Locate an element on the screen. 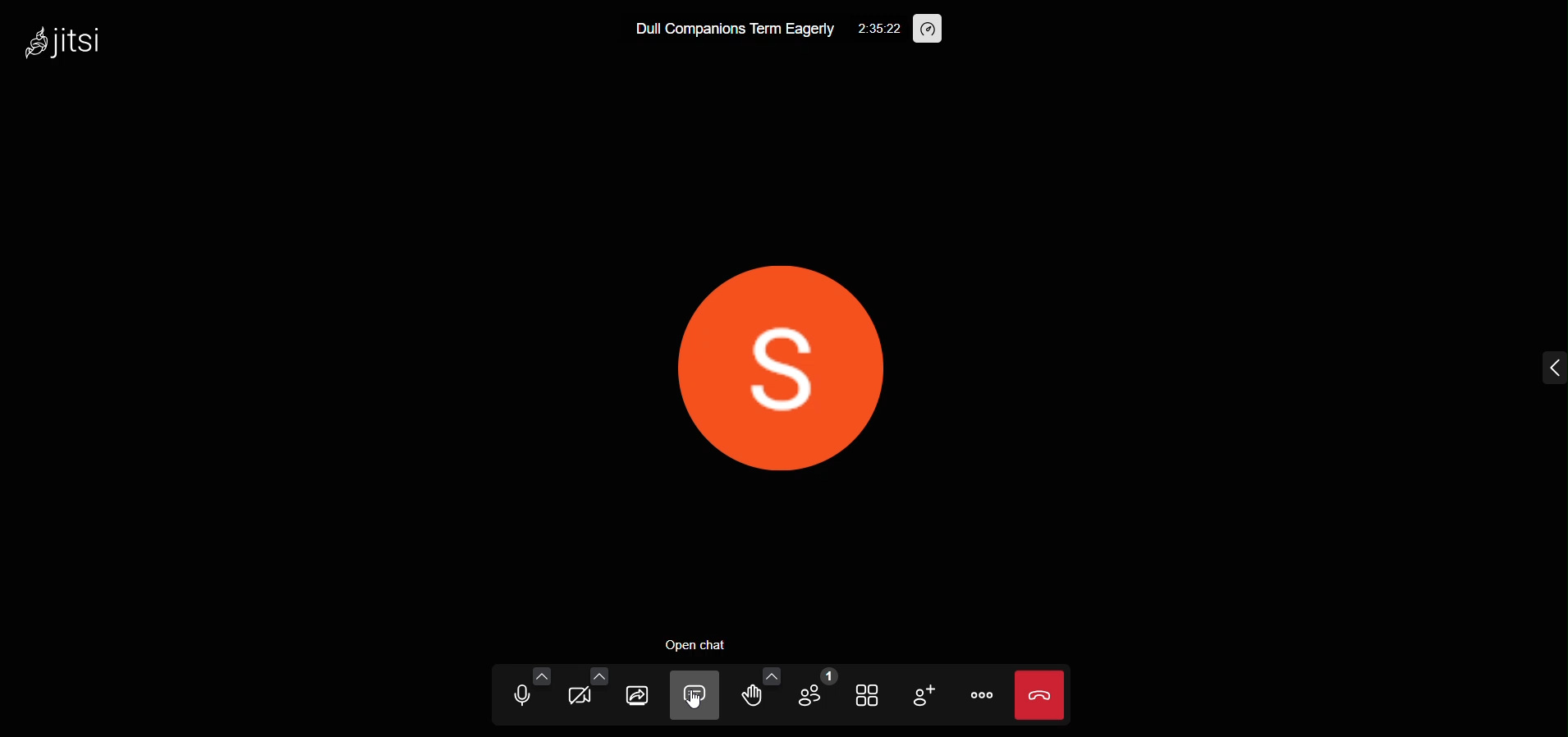 Image resolution: width=1568 pixels, height=737 pixels. display picture is located at coordinates (768, 364).